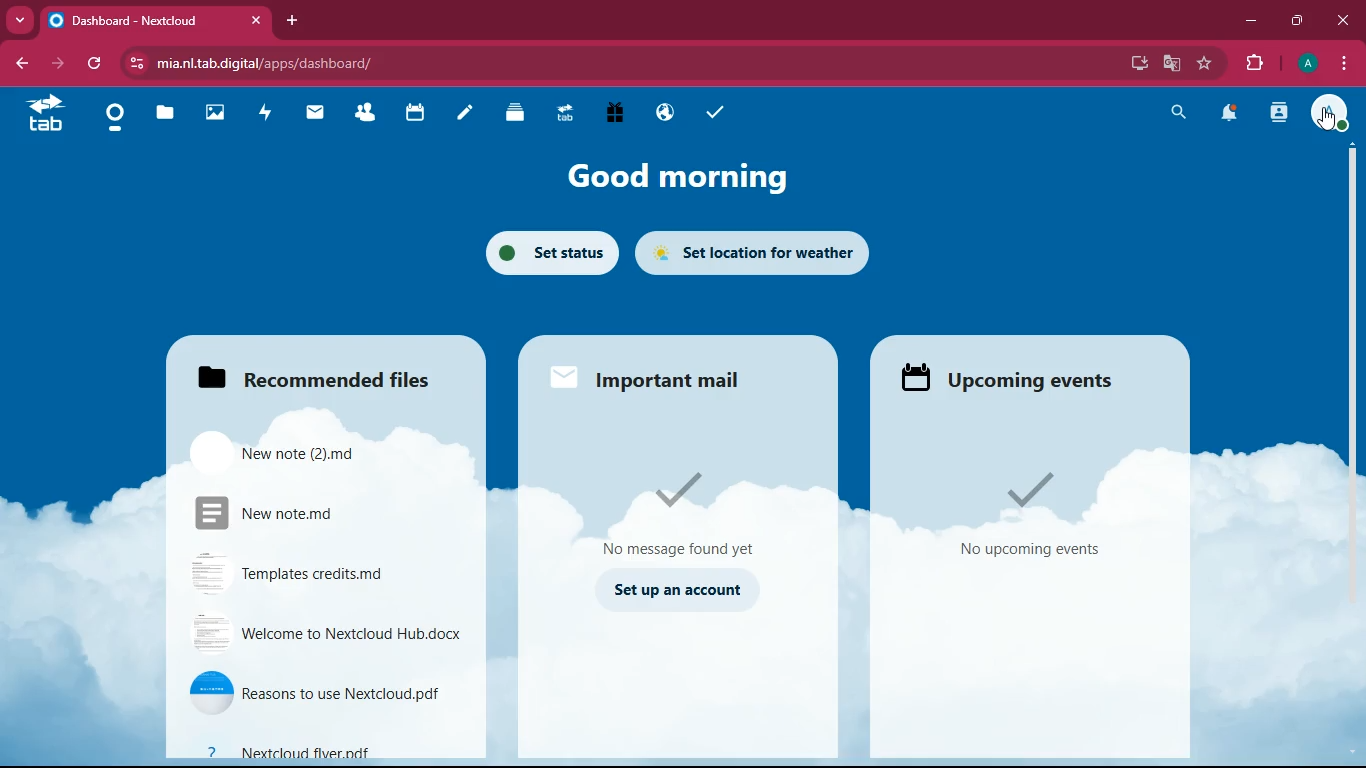 This screenshot has width=1366, height=768. What do you see at coordinates (1259, 63) in the screenshot?
I see `extension` at bounding box center [1259, 63].